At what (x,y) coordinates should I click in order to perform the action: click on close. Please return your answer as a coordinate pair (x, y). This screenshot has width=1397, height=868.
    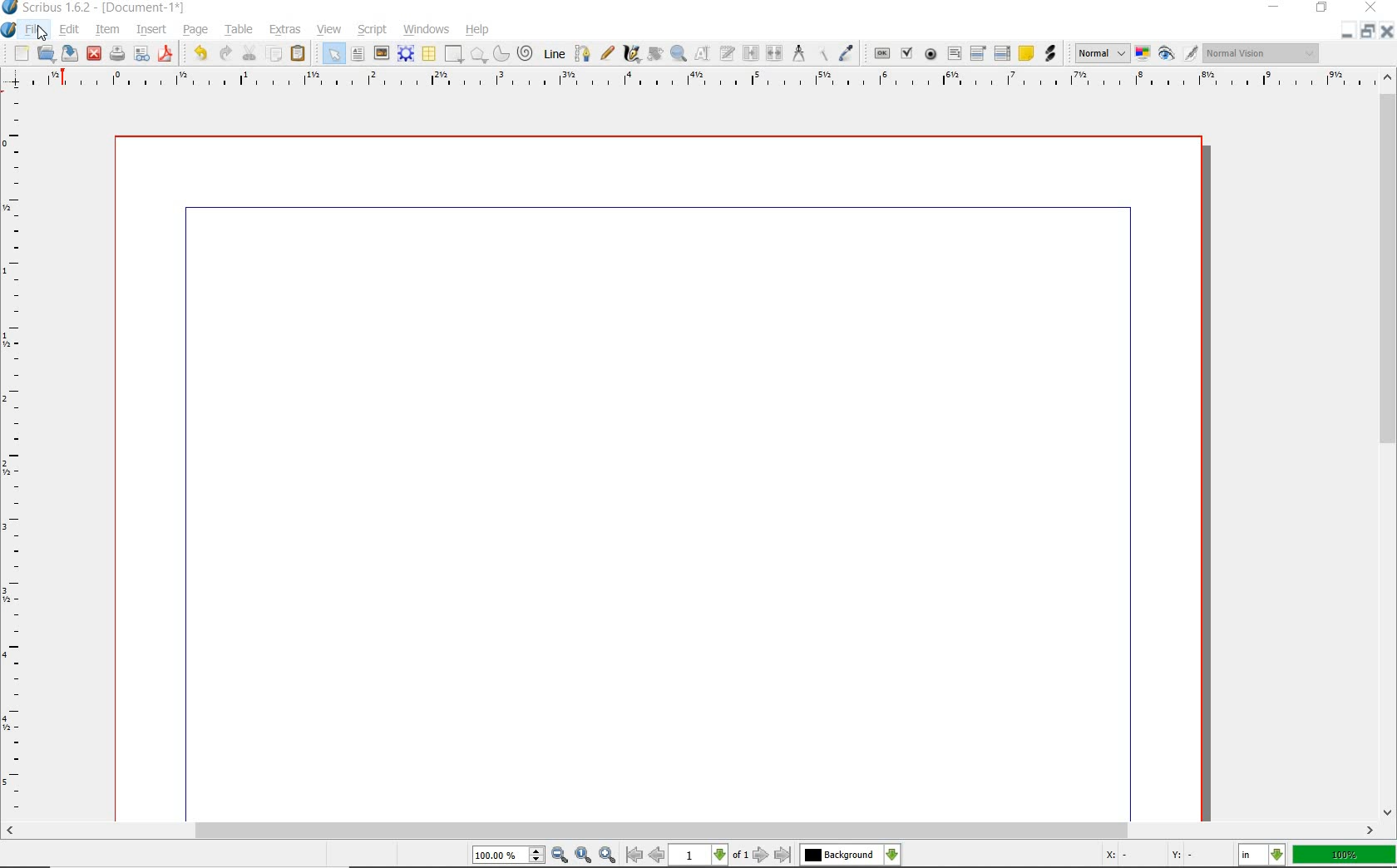
    Looking at the image, I should click on (1387, 32).